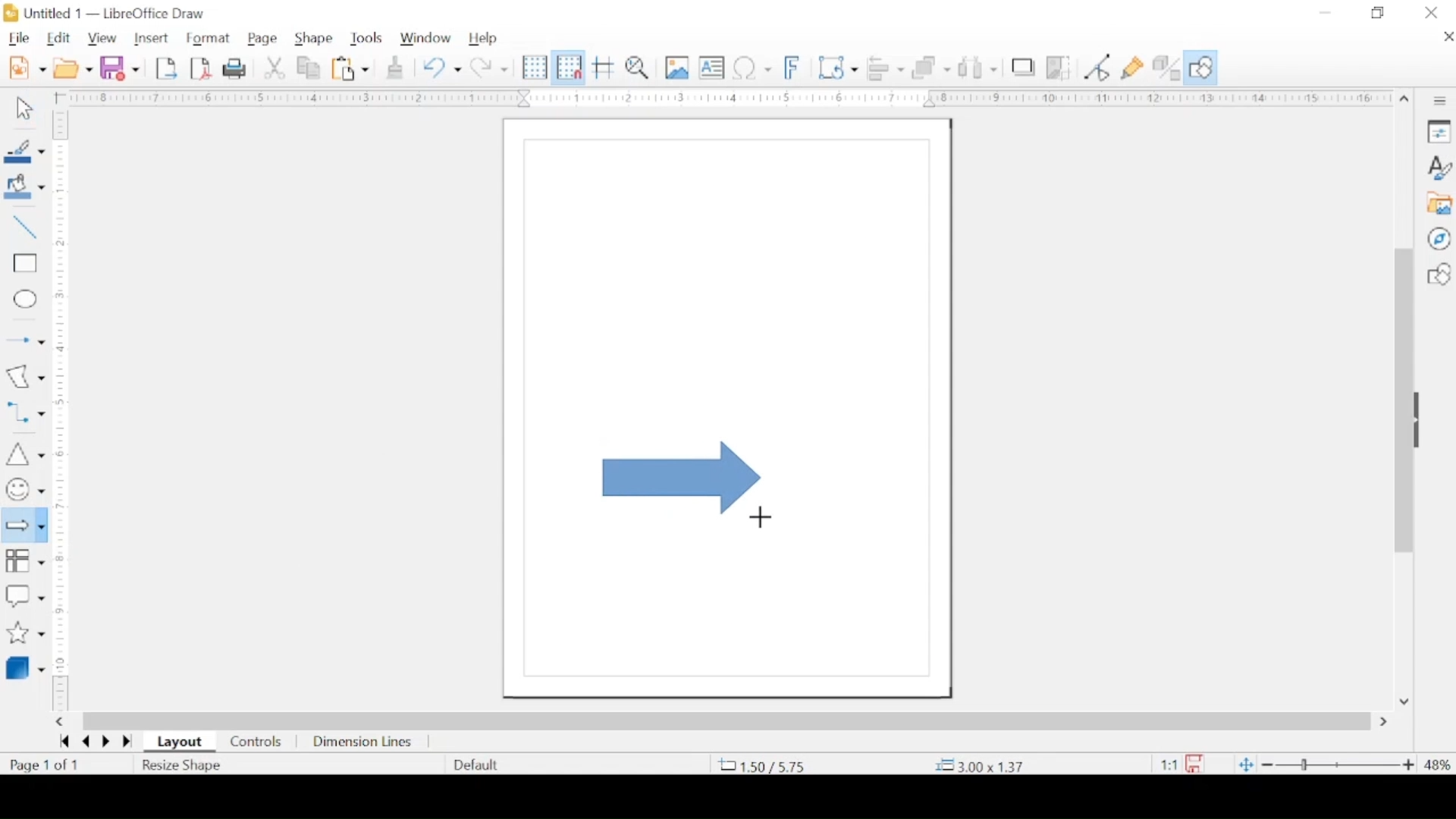  What do you see at coordinates (1097, 67) in the screenshot?
I see `toggle point edit mode` at bounding box center [1097, 67].